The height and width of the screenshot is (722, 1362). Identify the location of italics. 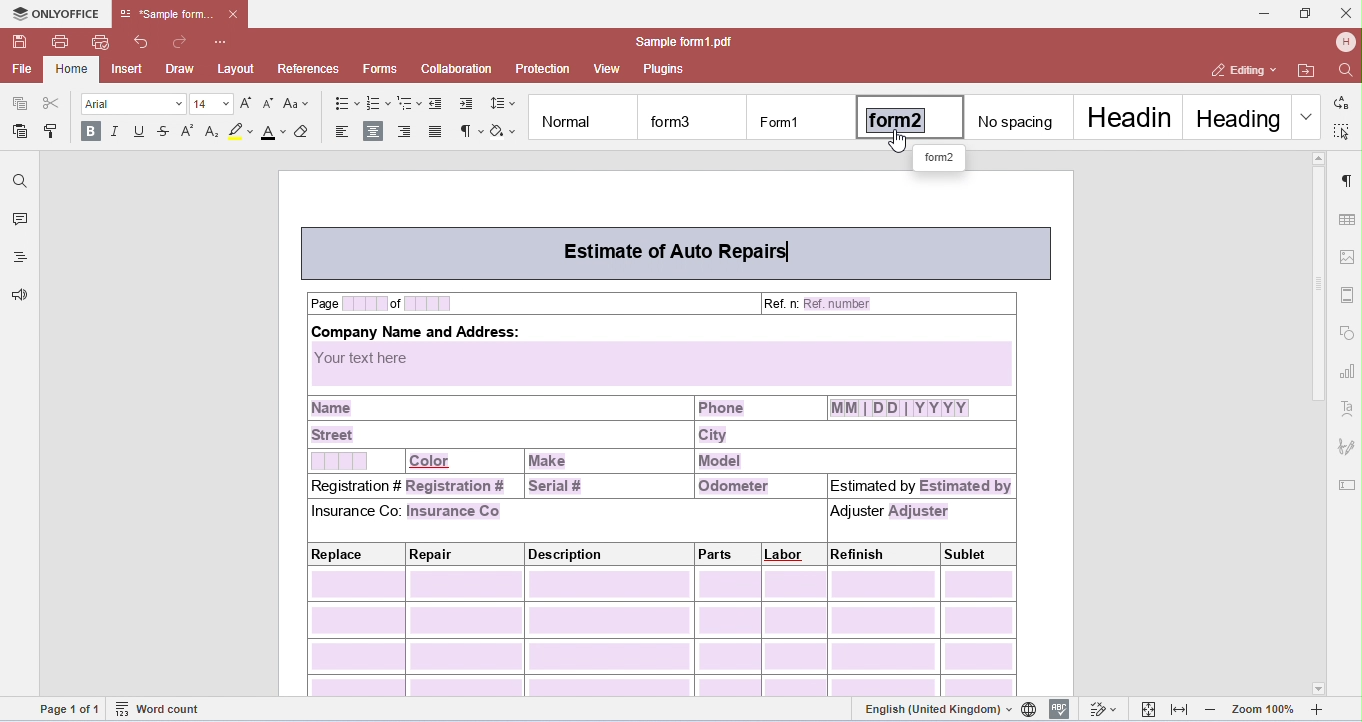
(116, 133).